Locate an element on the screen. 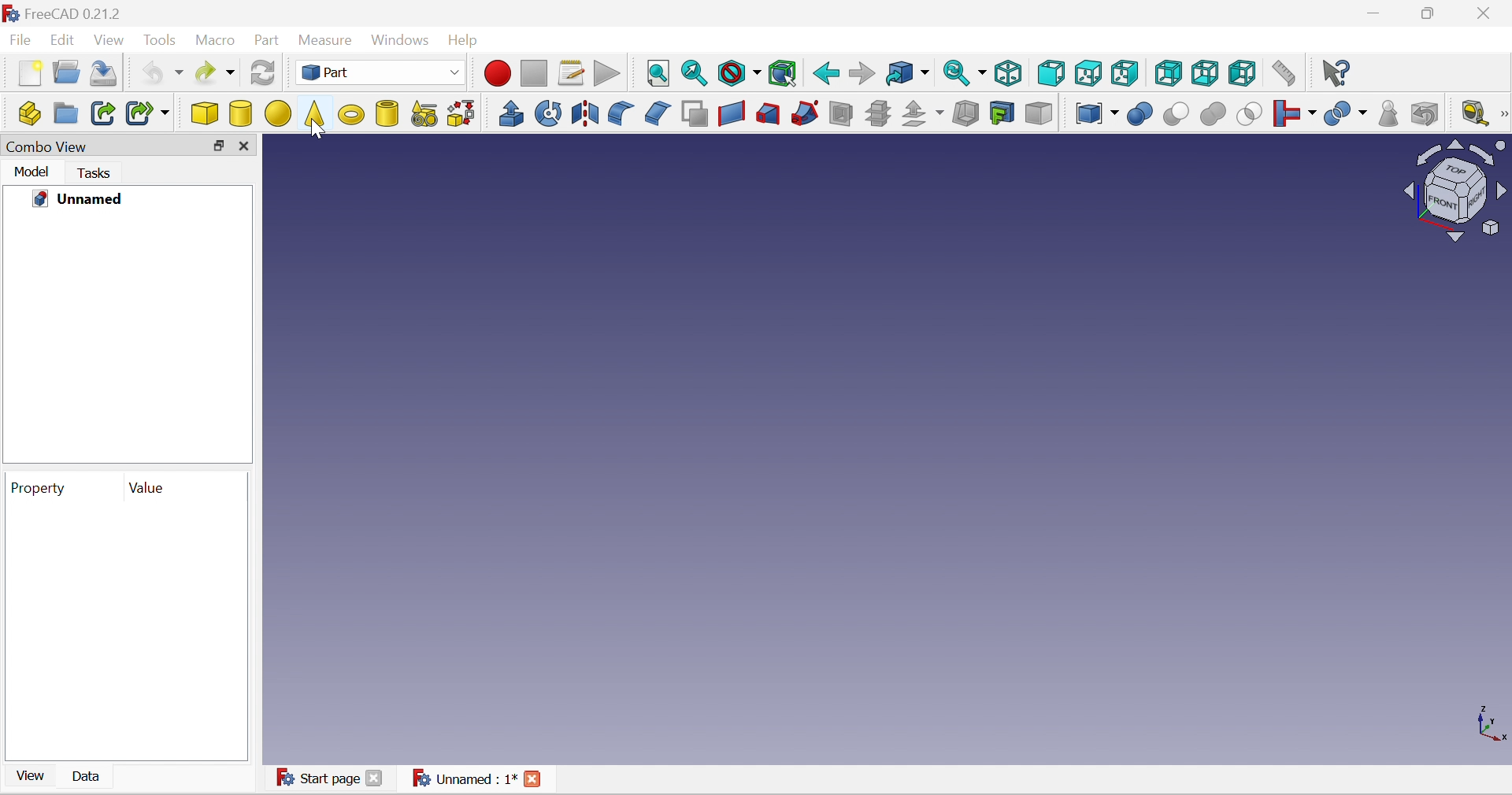 Image resolution: width=1512 pixels, height=795 pixels. Part is located at coordinates (270, 39).